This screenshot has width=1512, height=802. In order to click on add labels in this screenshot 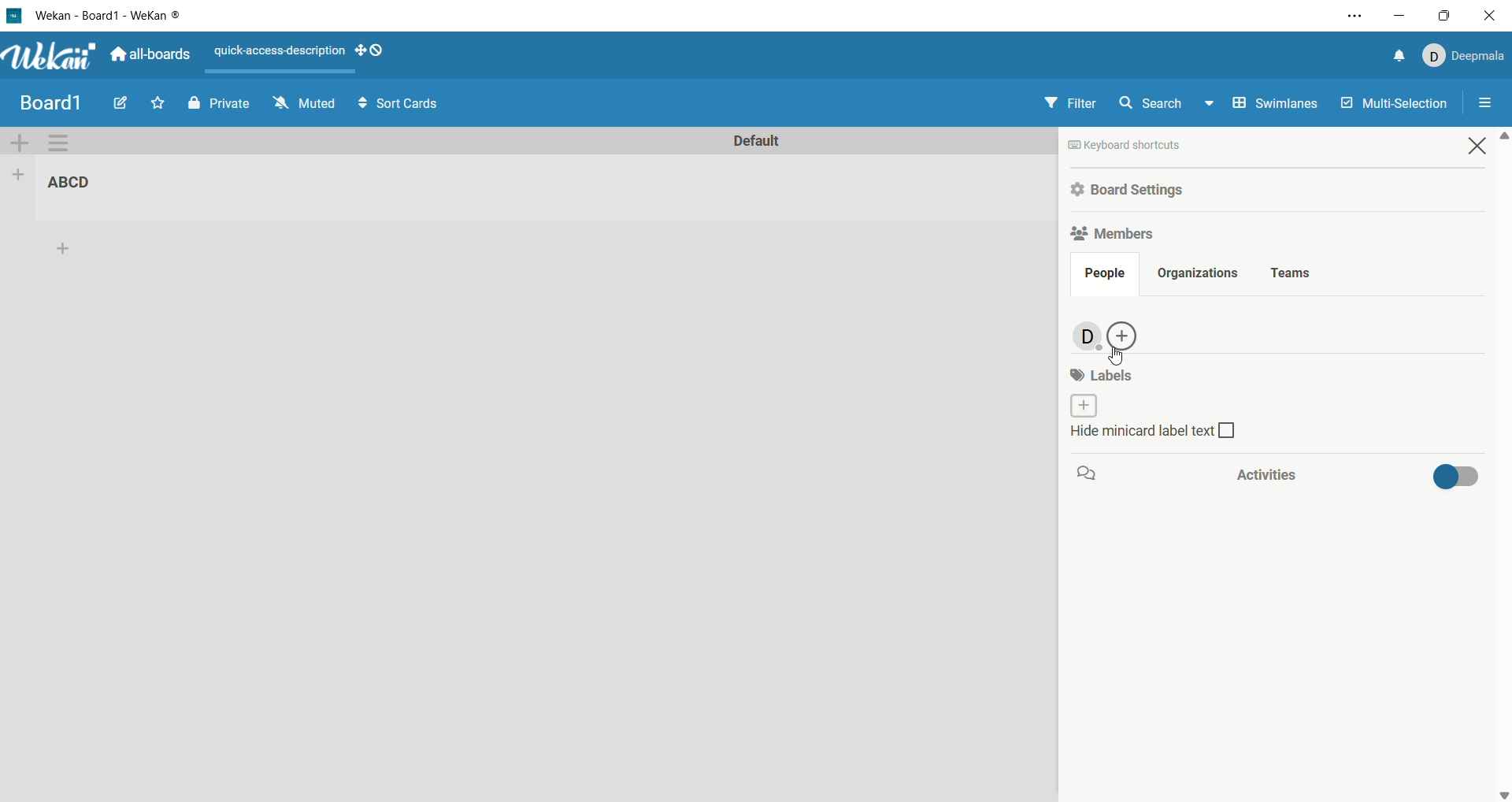, I will do `click(1088, 407)`.